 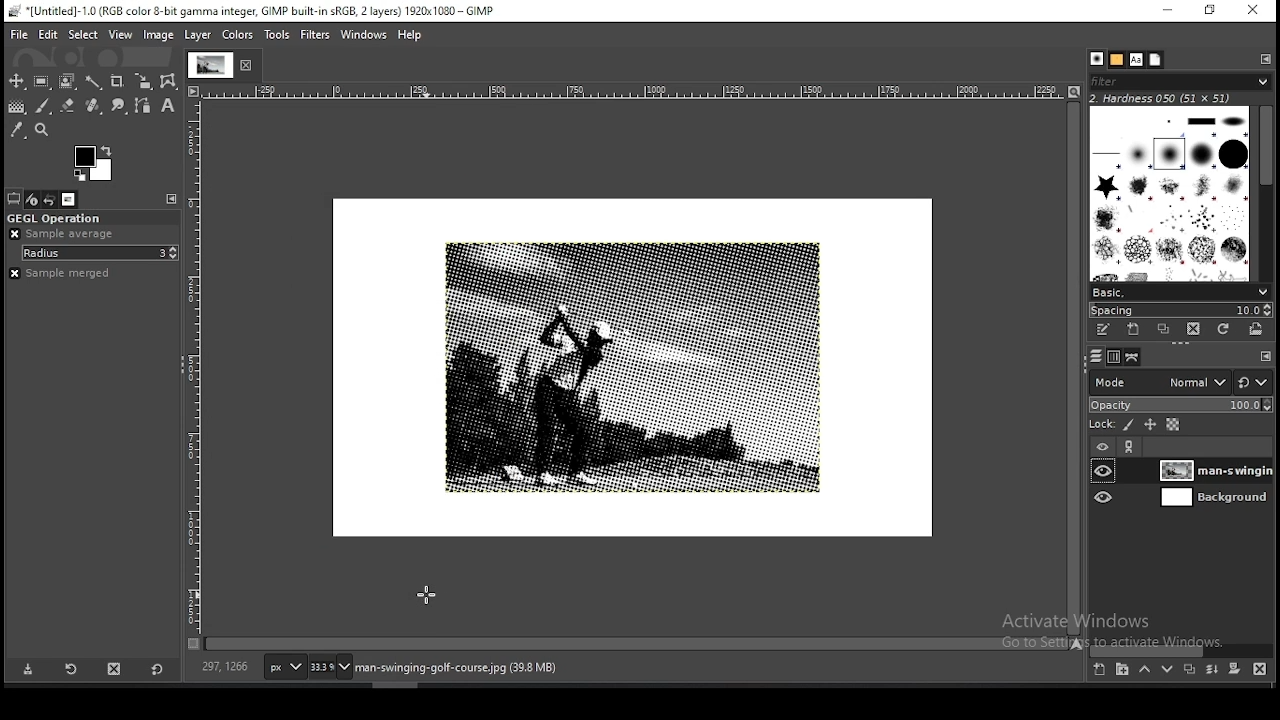 I want to click on windows, so click(x=364, y=35).